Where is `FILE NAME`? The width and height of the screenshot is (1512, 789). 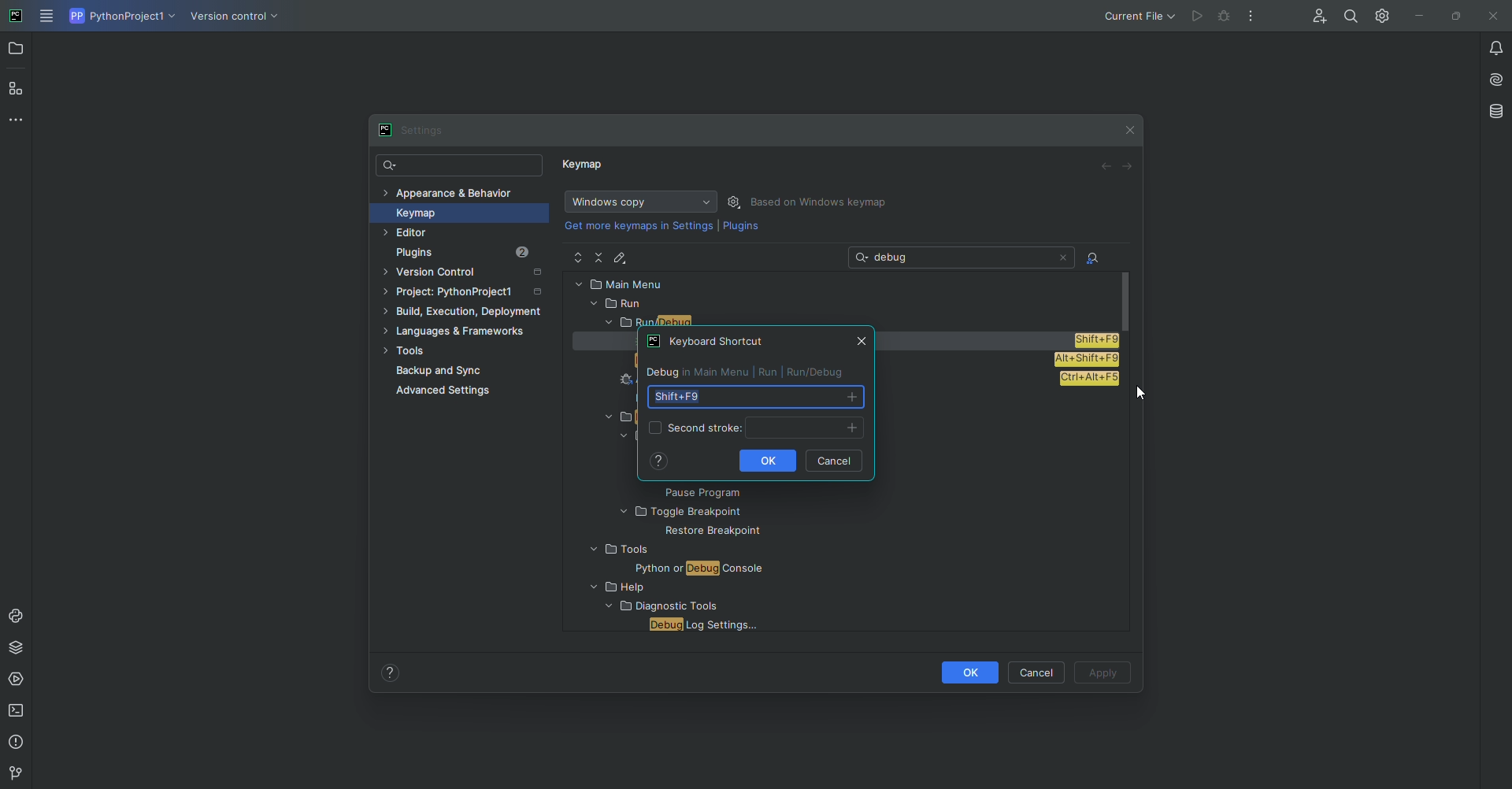 FILE NAME is located at coordinates (700, 625).